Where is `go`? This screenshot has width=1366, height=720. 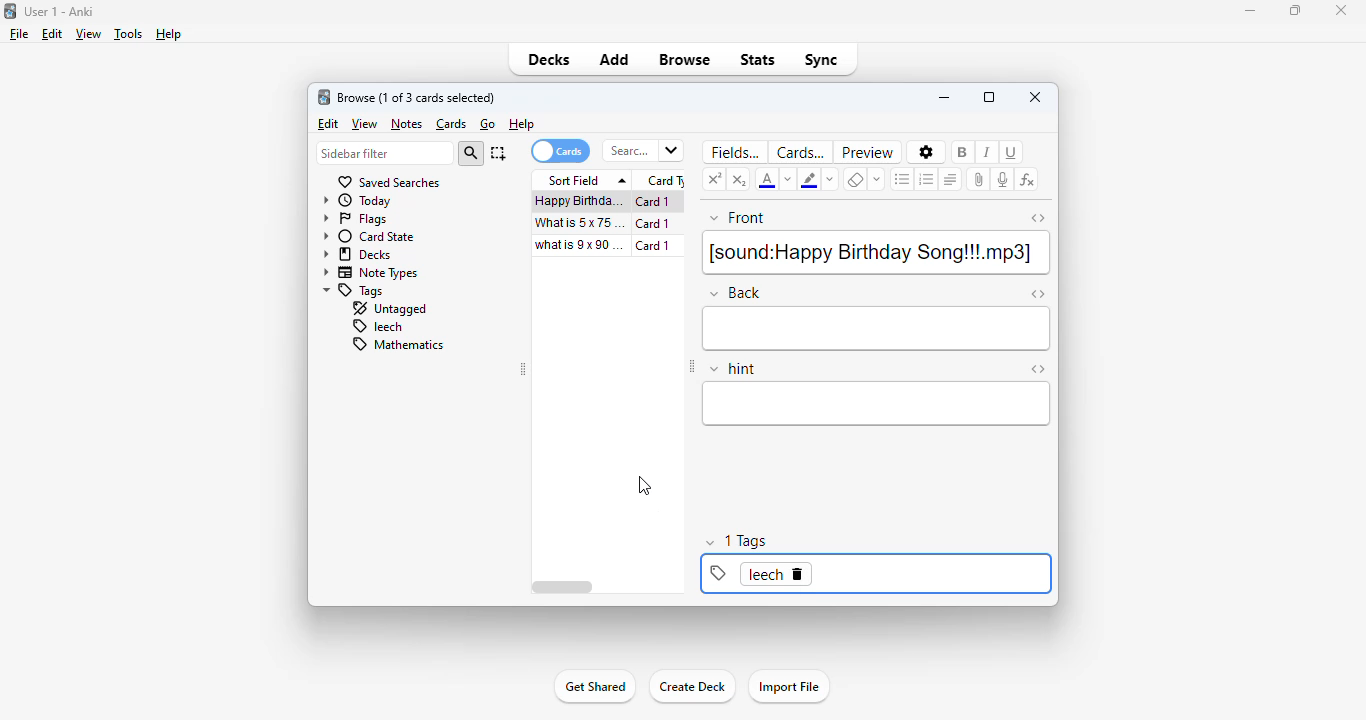 go is located at coordinates (488, 124).